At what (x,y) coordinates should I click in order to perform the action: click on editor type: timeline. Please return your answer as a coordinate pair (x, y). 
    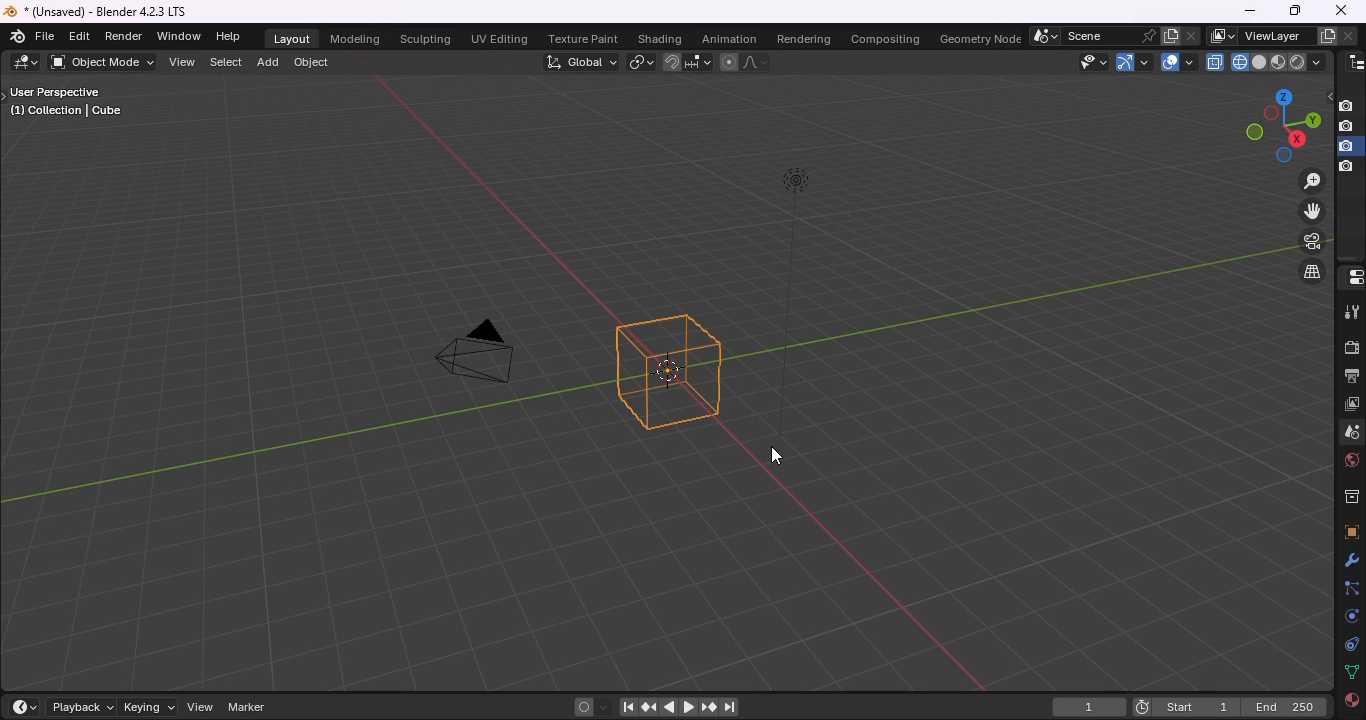
    Looking at the image, I should click on (31, 706).